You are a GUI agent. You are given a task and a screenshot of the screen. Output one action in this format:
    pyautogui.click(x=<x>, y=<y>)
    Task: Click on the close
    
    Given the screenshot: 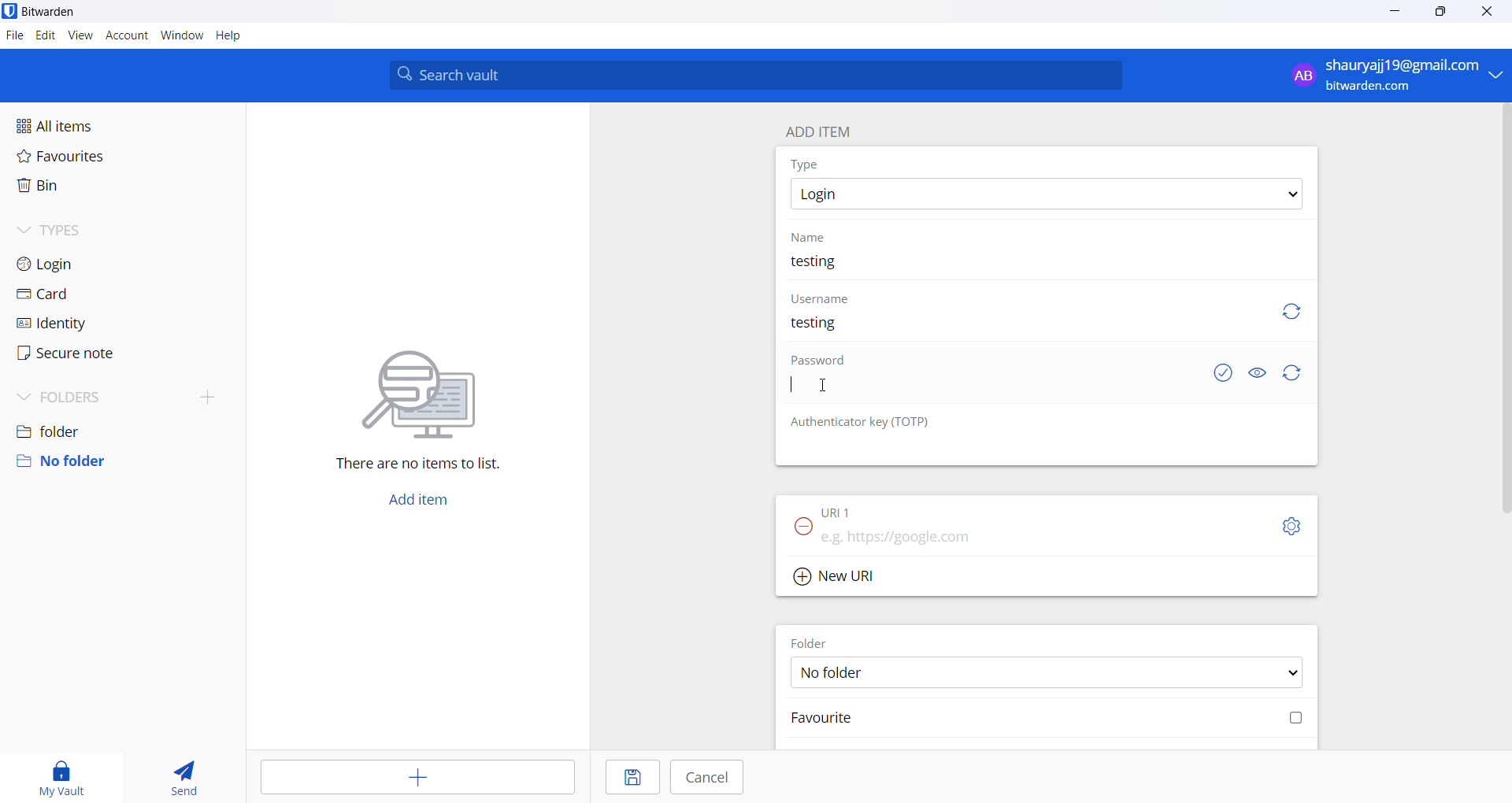 What is the action you would take?
    pyautogui.click(x=1484, y=11)
    